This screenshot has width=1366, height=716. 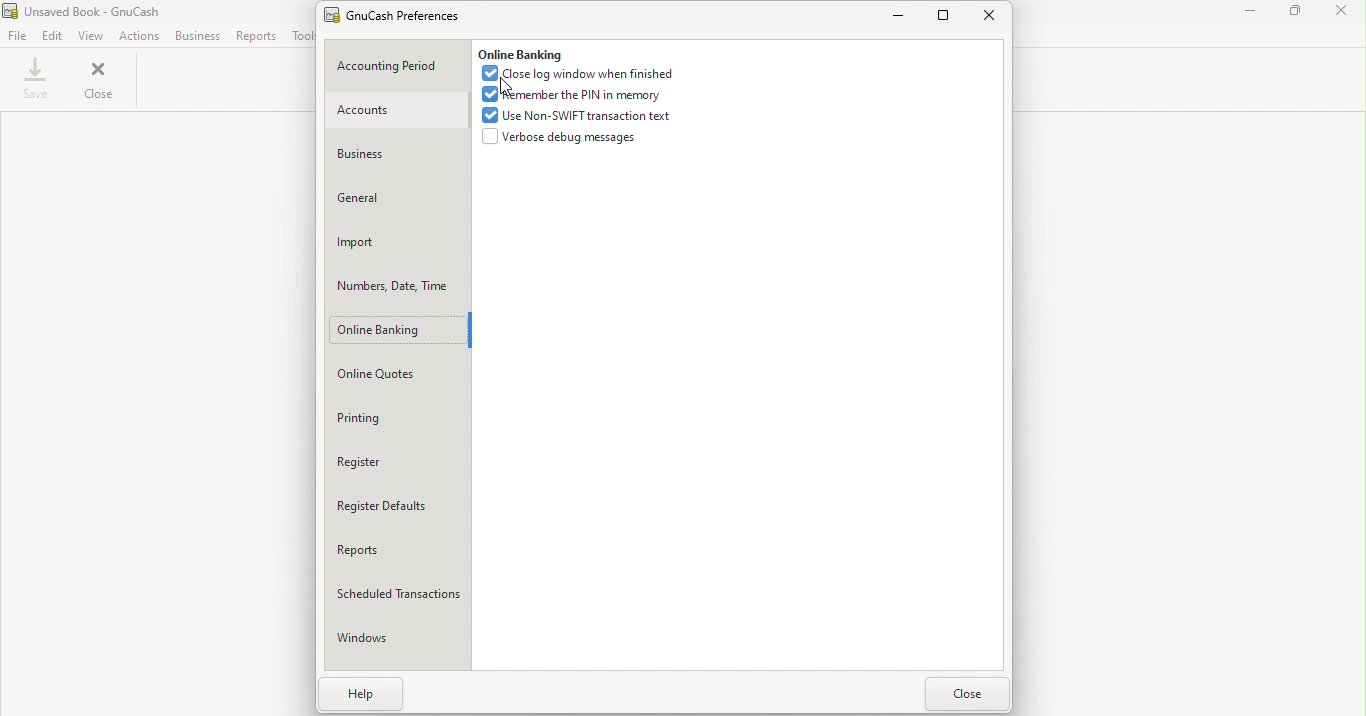 What do you see at coordinates (138, 36) in the screenshot?
I see `Actions` at bounding box center [138, 36].